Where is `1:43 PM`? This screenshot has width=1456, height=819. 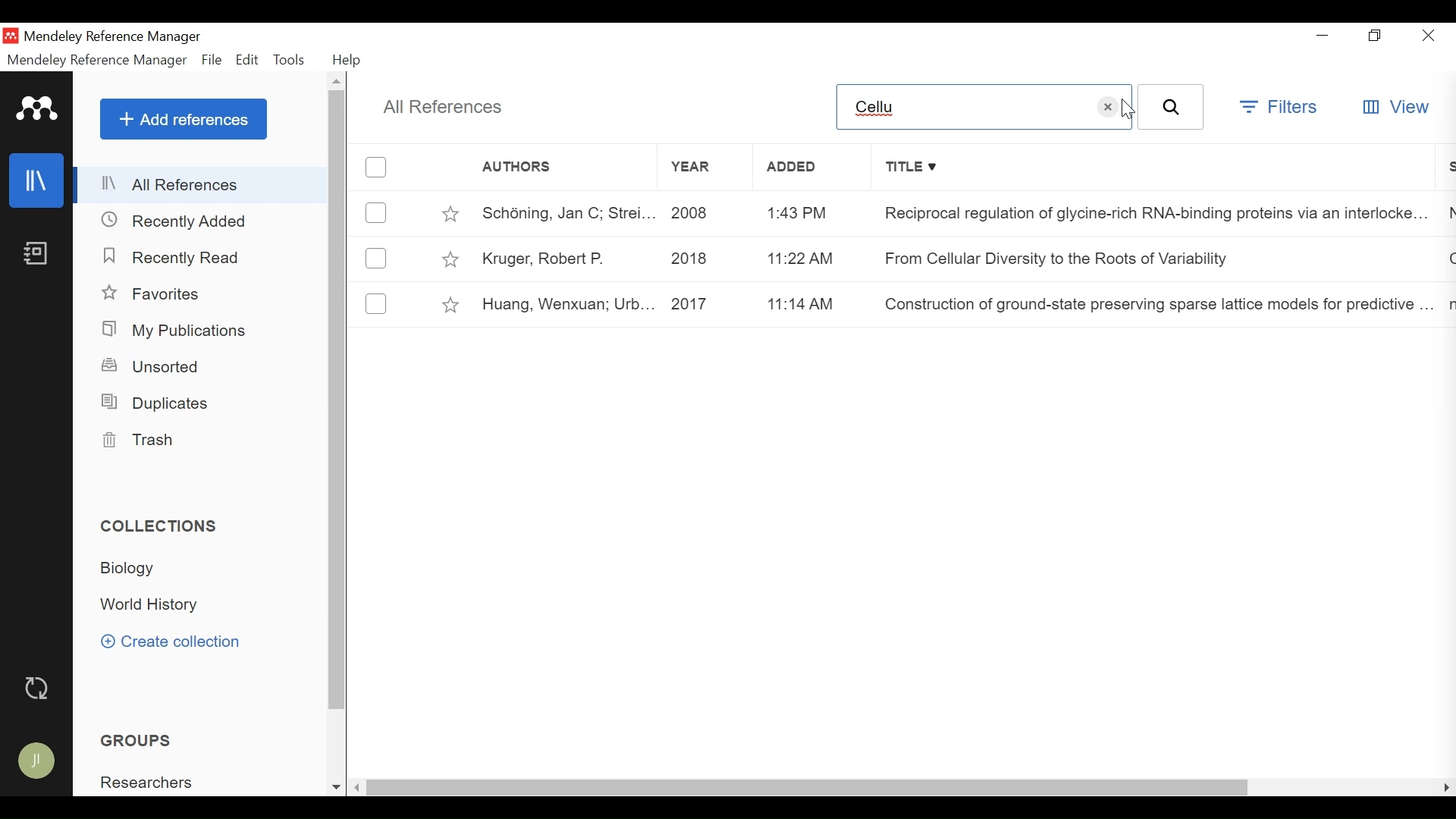
1:43 PM is located at coordinates (814, 211).